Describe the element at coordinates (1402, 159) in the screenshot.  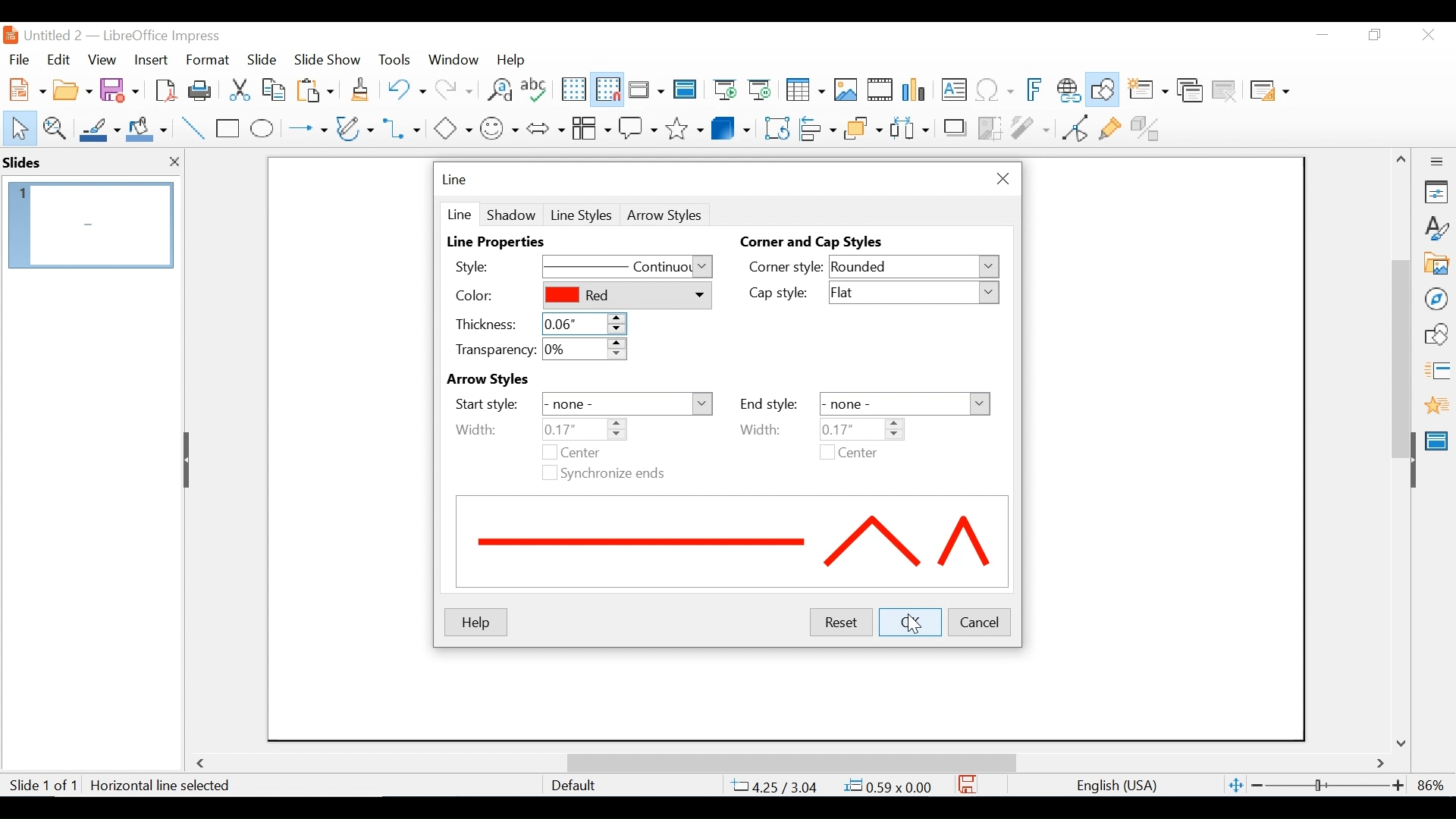
I see `Scroll up` at that location.